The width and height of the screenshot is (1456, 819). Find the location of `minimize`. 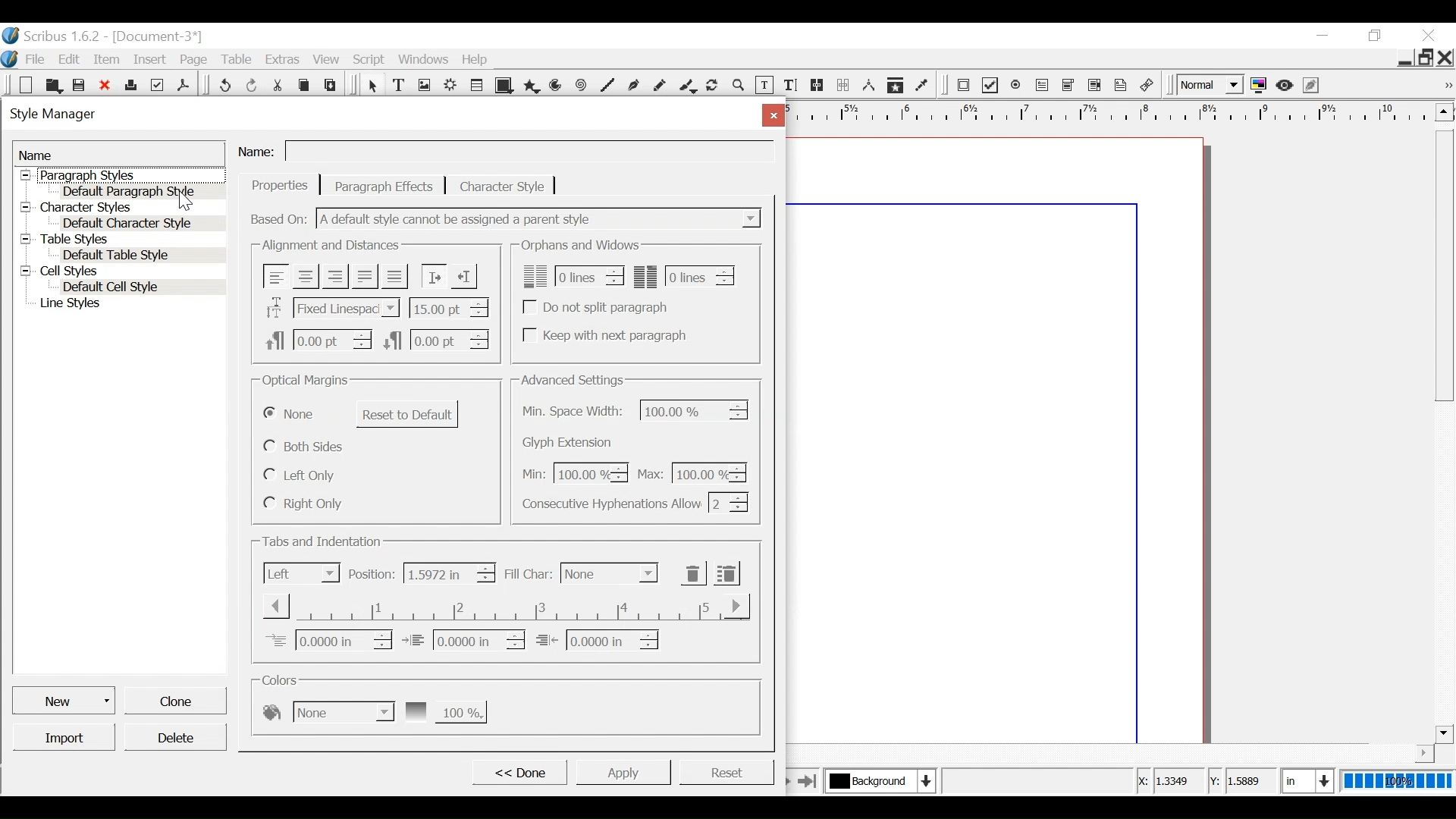

minimize is located at coordinates (1322, 35).